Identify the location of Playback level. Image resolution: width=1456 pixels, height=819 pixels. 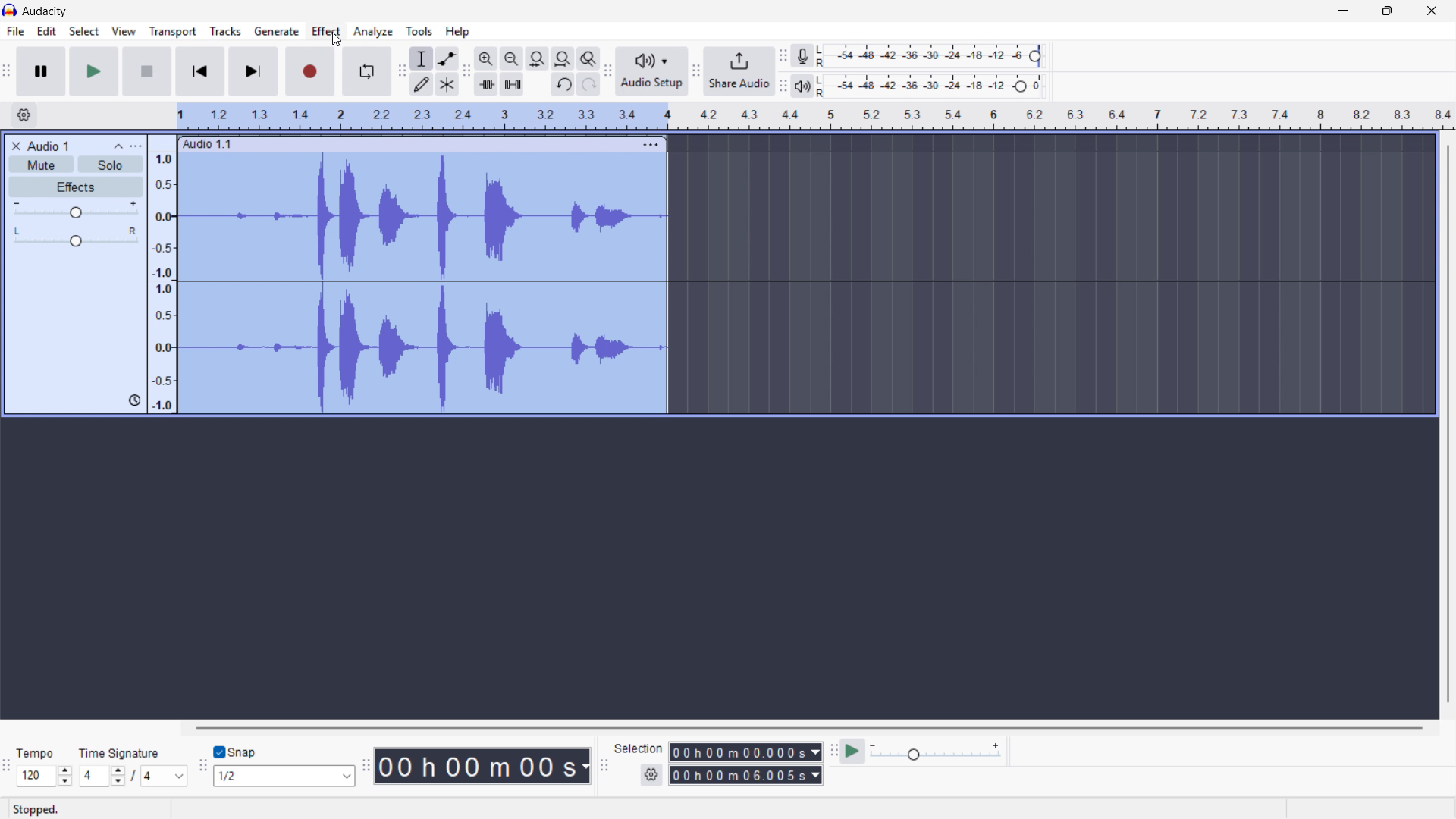
(934, 86).